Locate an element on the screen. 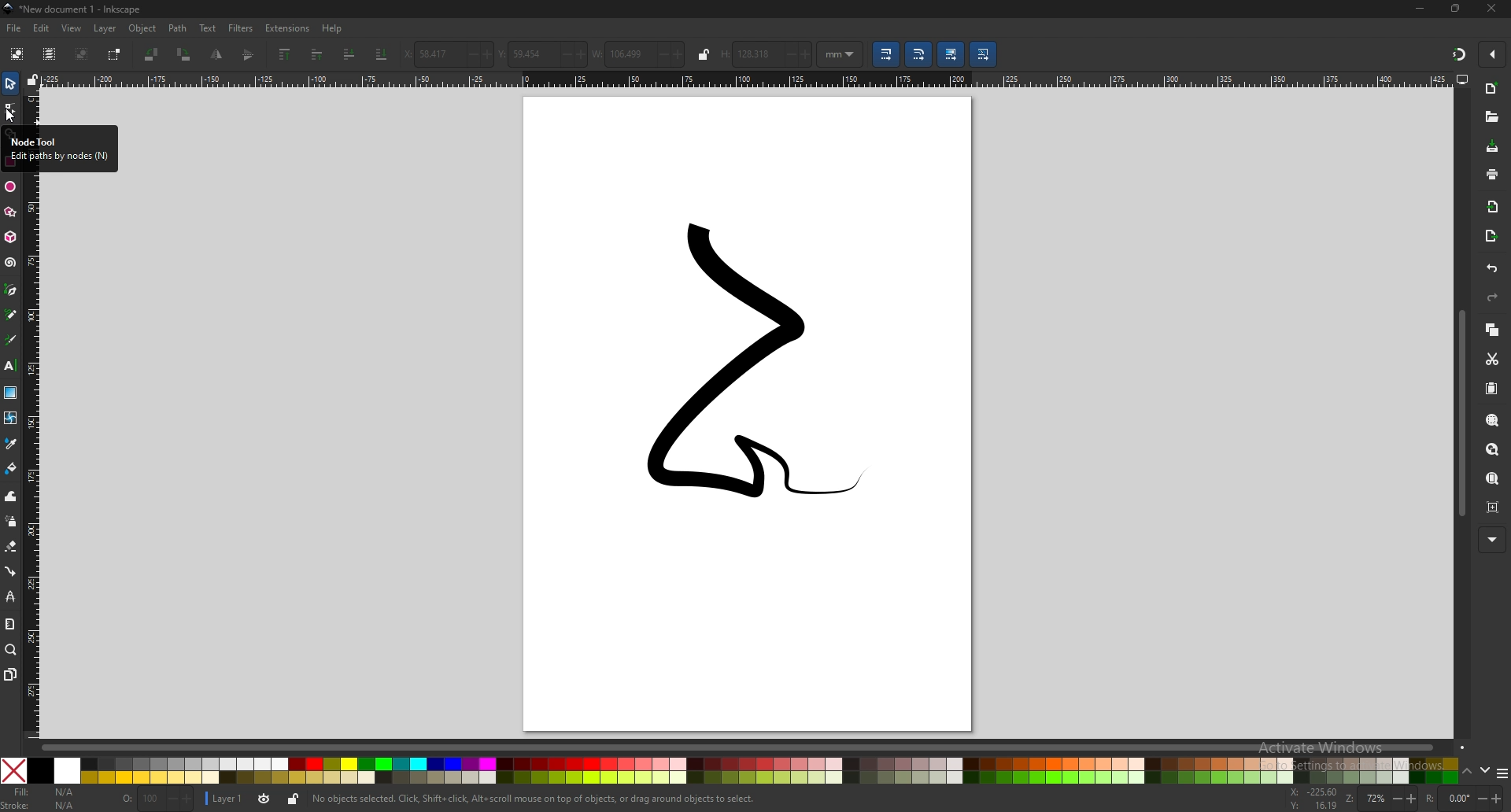 The height and width of the screenshot is (812, 1511). scroll bar is located at coordinates (1459, 415).